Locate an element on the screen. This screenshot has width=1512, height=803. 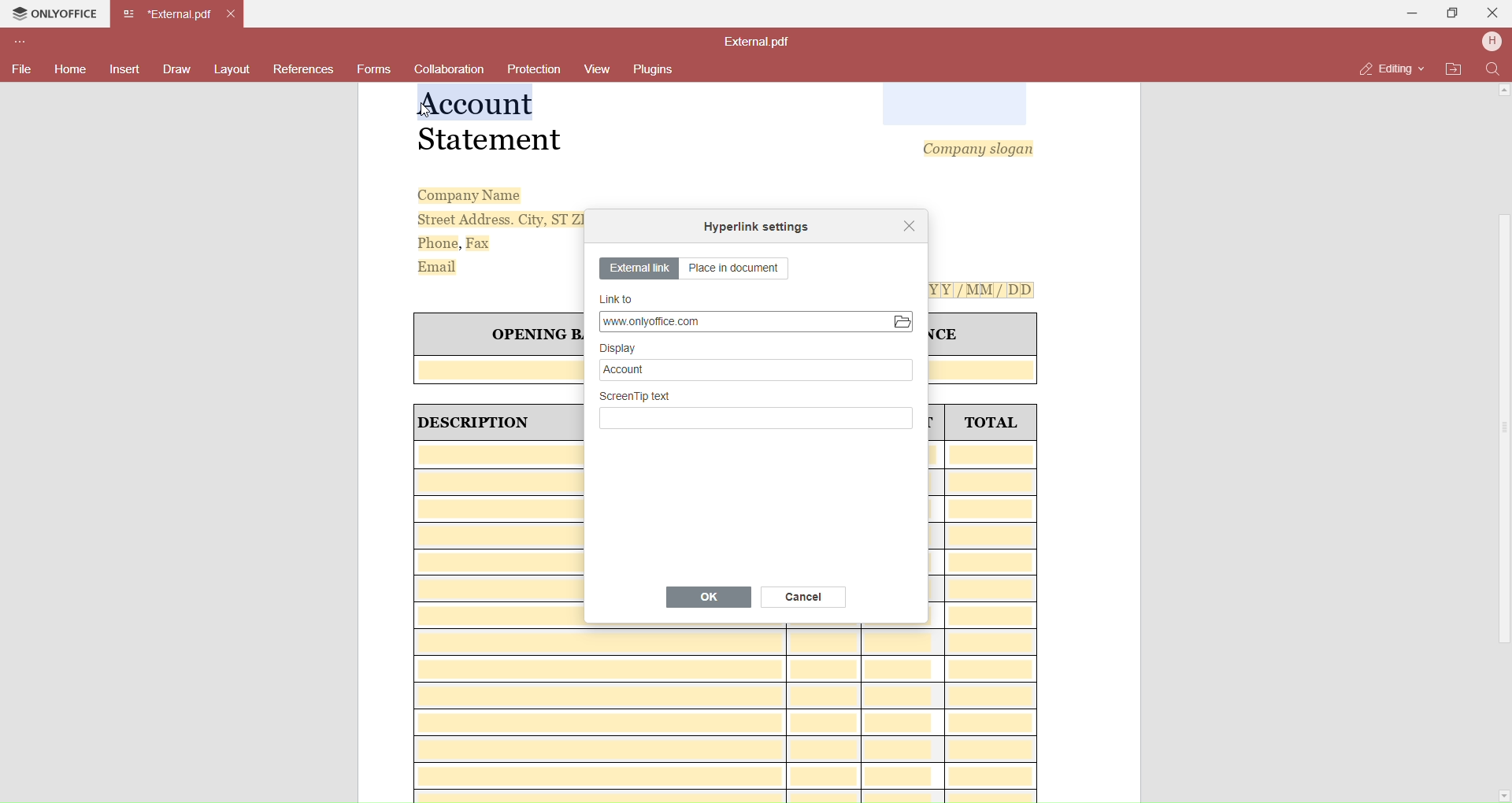
Editing is located at coordinates (1390, 69).